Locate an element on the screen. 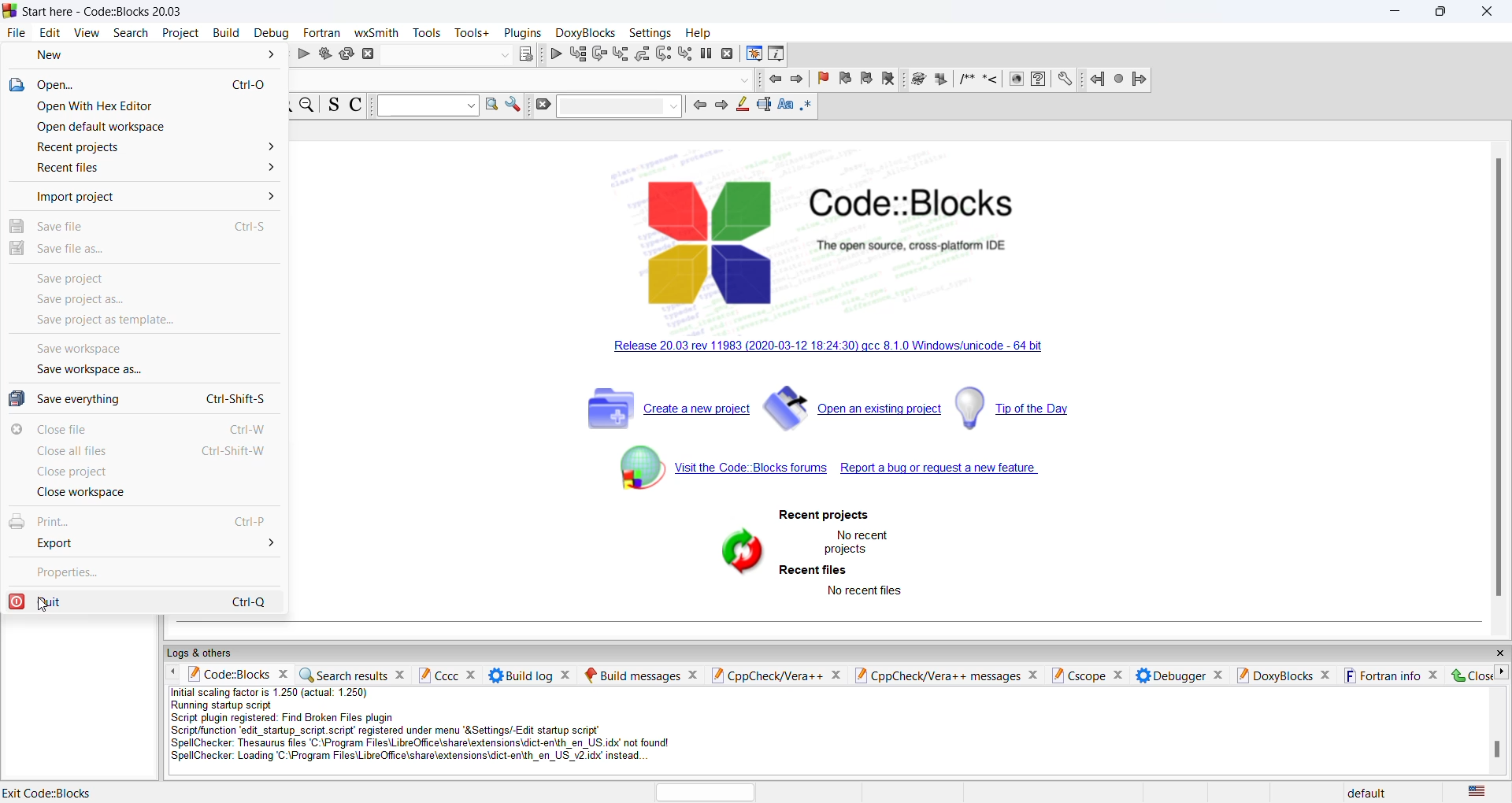 This screenshot has height=803, width=1512. recent projects is located at coordinates (824, 516).